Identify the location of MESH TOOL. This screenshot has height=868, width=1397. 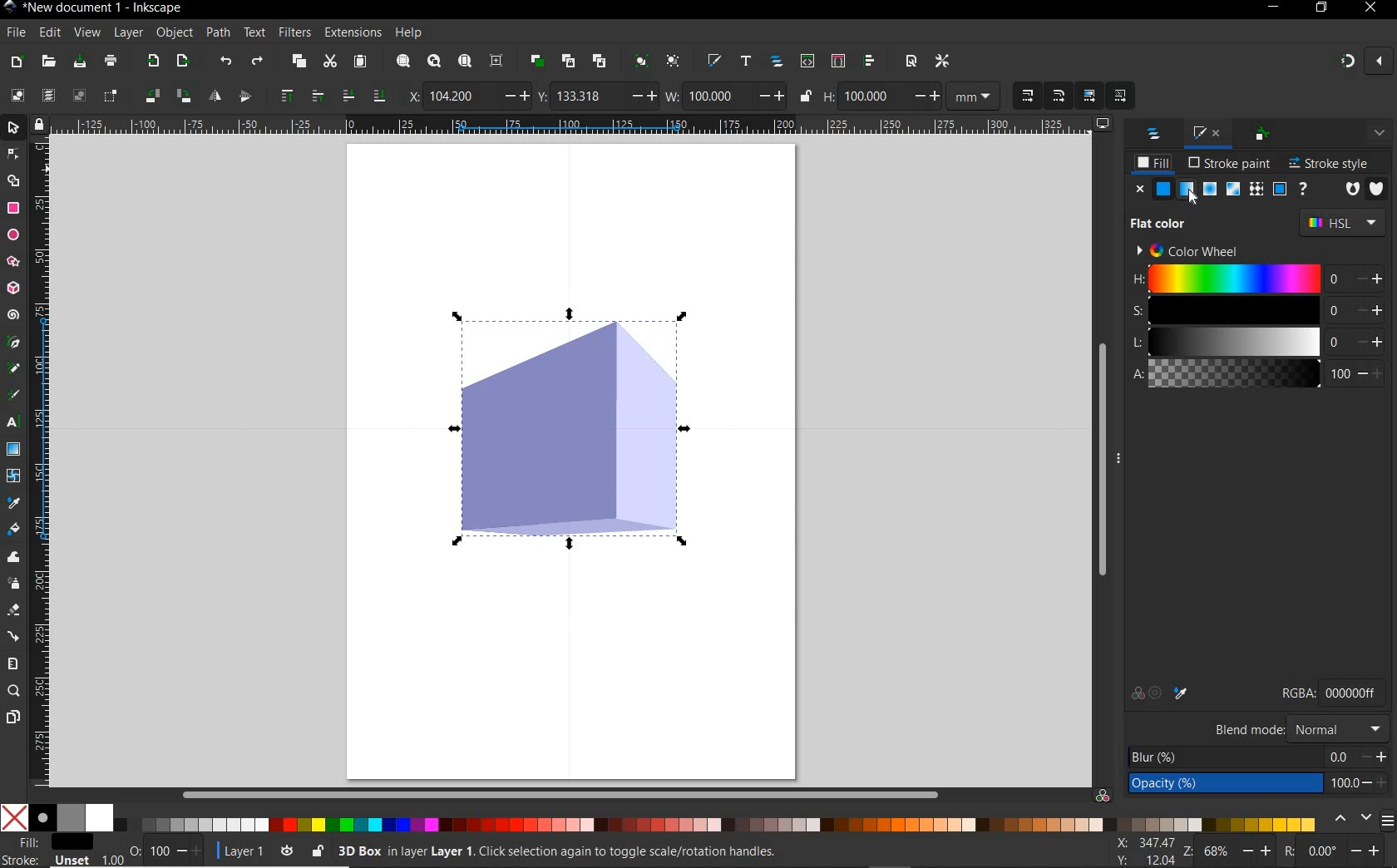
(12, 476).